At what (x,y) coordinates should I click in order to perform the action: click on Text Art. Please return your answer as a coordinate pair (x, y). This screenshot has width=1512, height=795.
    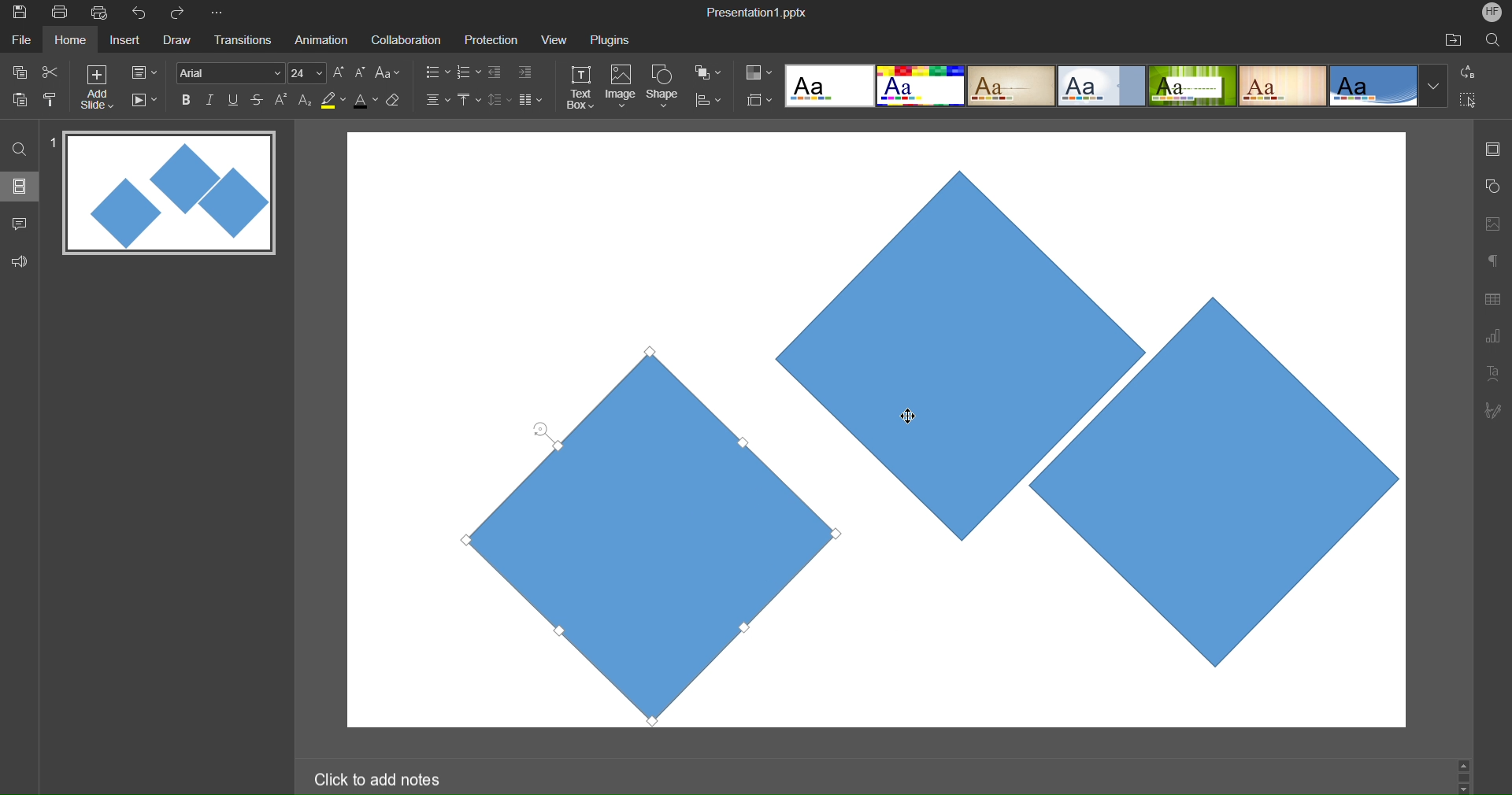
    Looking at the image, I should click on (1493, 372).